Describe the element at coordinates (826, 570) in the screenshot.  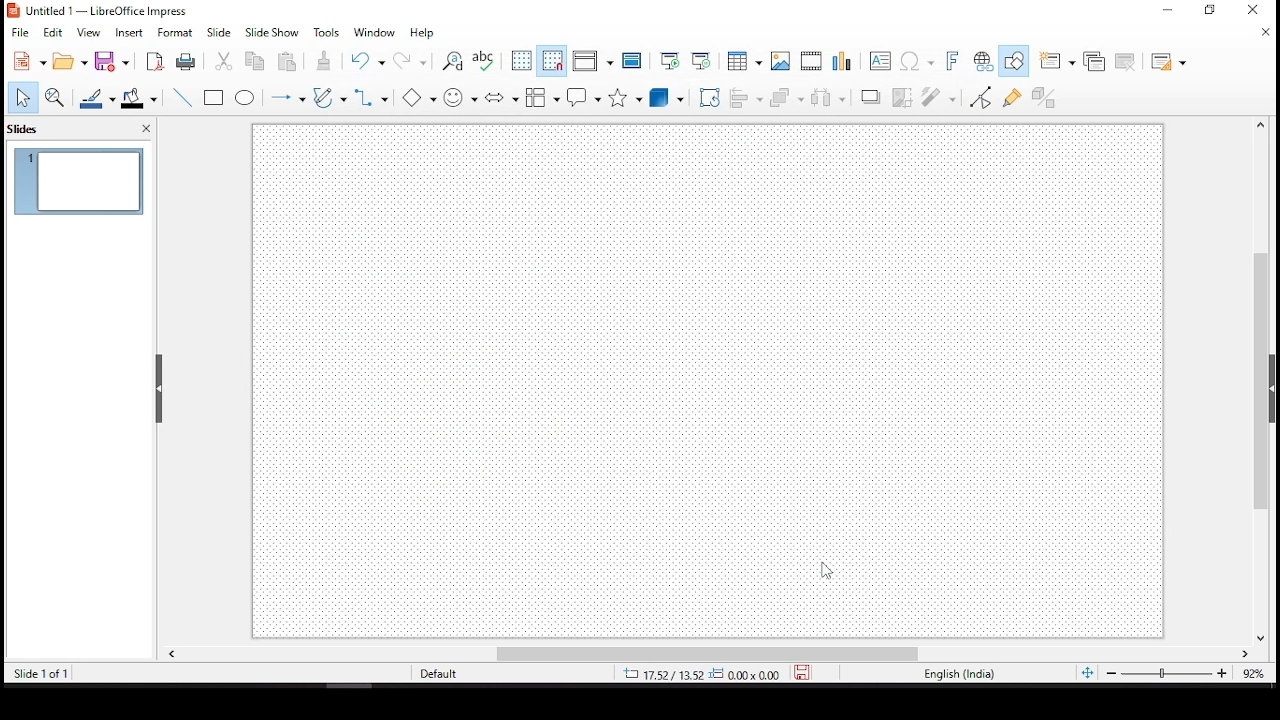
I see `cursor` at that location.